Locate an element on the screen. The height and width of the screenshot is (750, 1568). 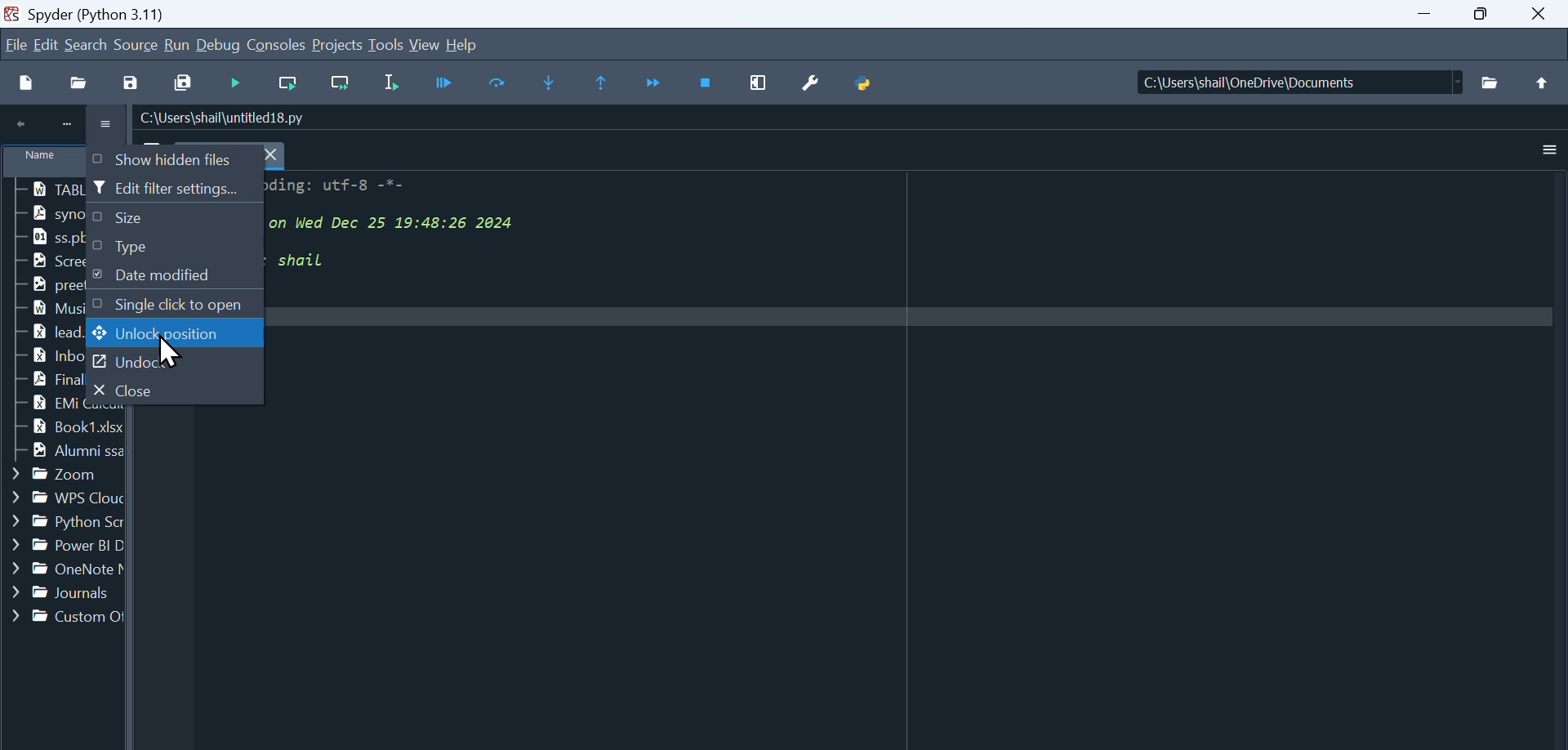
show hidden files is located at coordinates (173, 159).